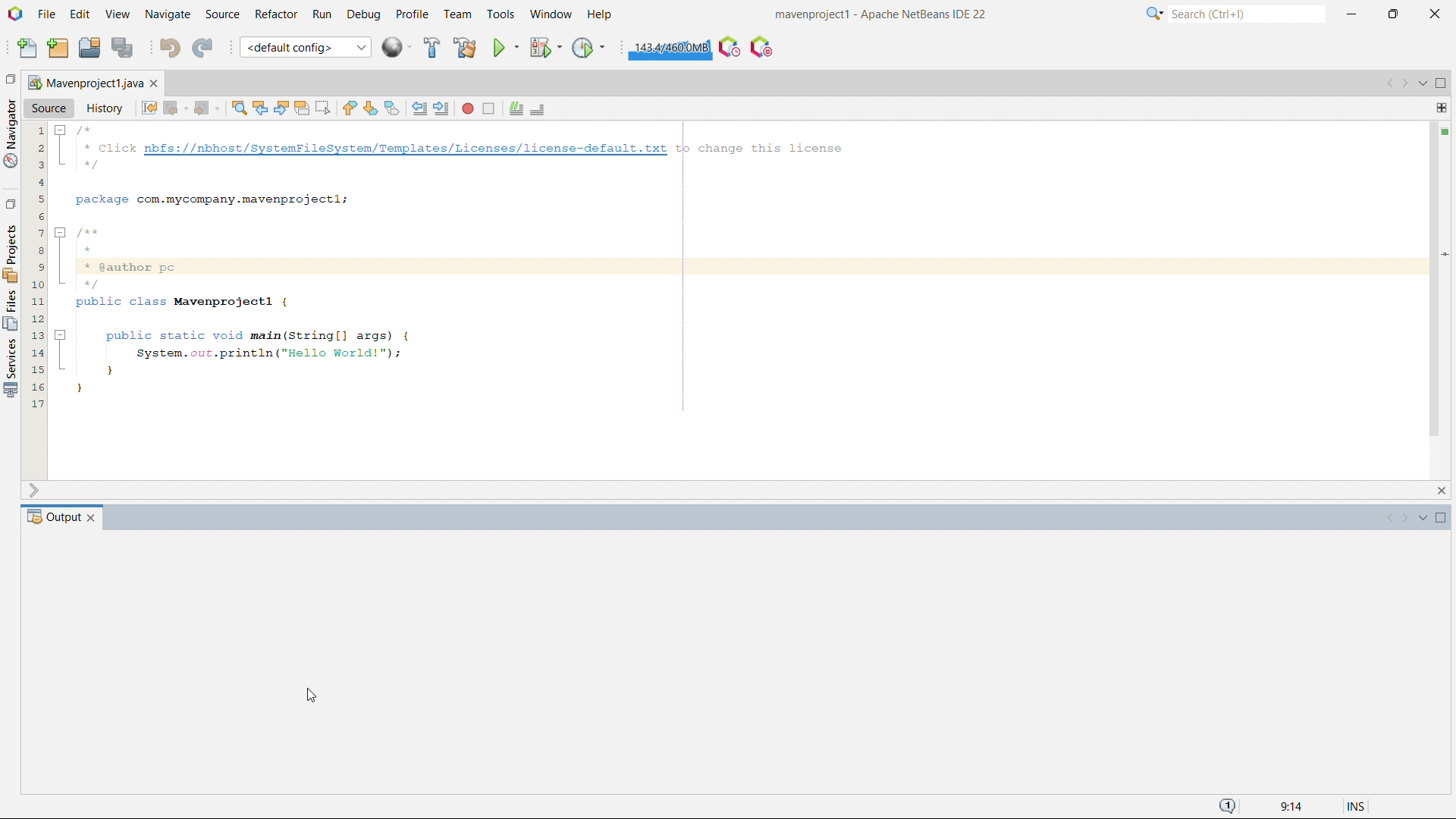 Image resolution: width=1456 pixels, height=819 pixels. I want to click on , so click(396, 48).